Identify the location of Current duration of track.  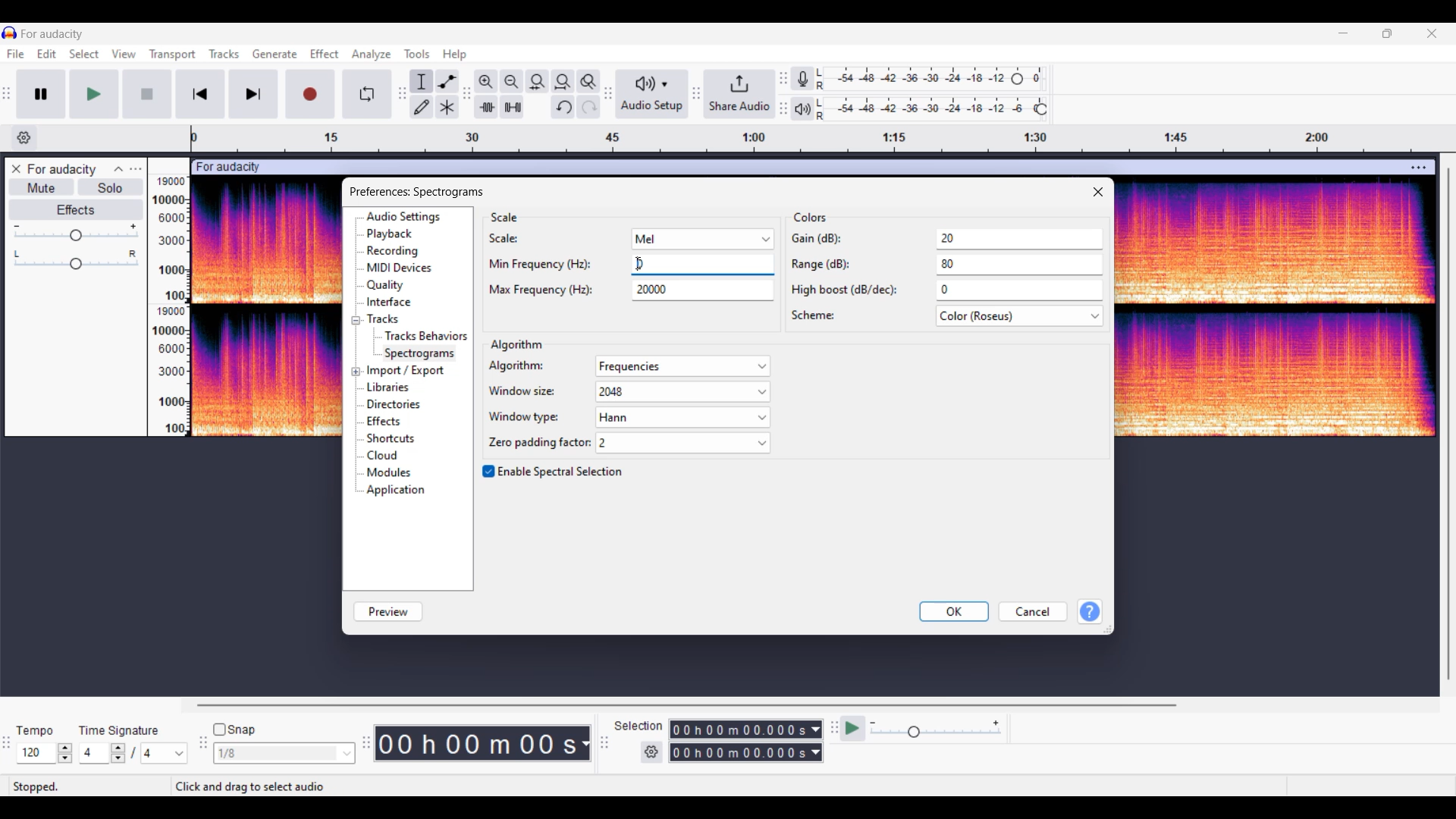
(475, 743).